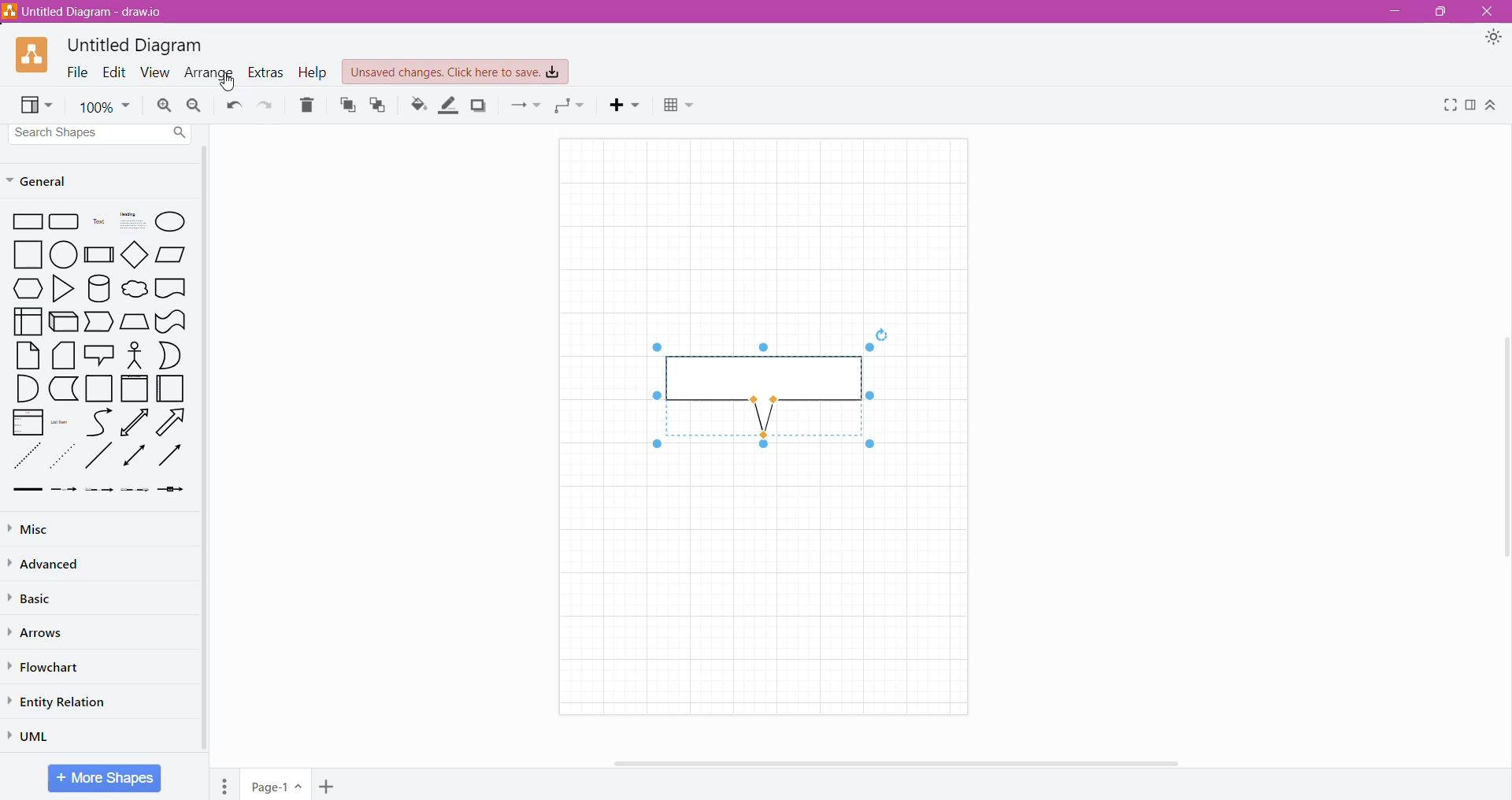  What do you see at coordinates (24, 289) in the screenshot?
I see `preparation` at bounding box center [24, 289].